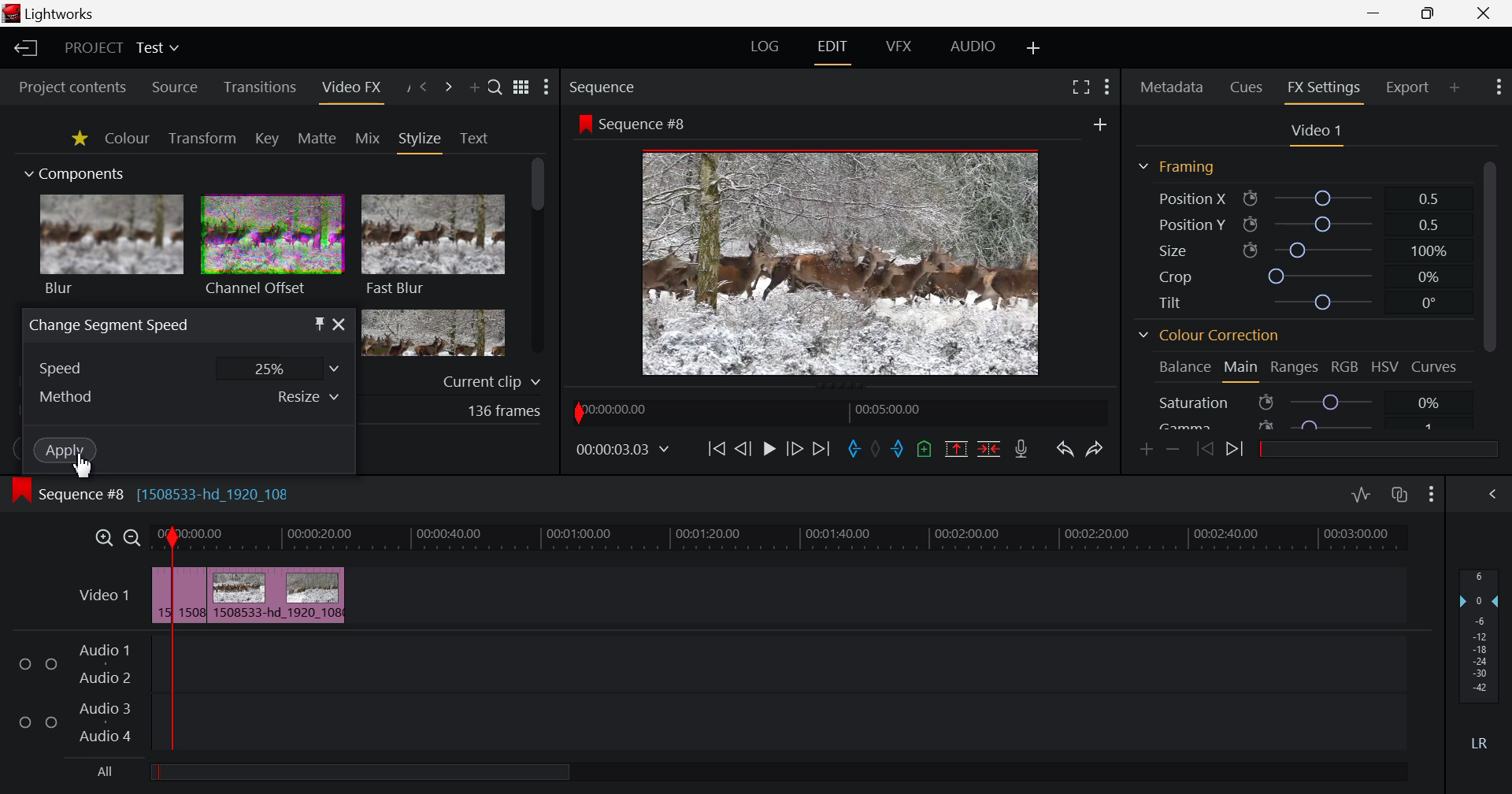 This screenshot has width=1512, height=794. I want to click on Close, so click(339, 323).